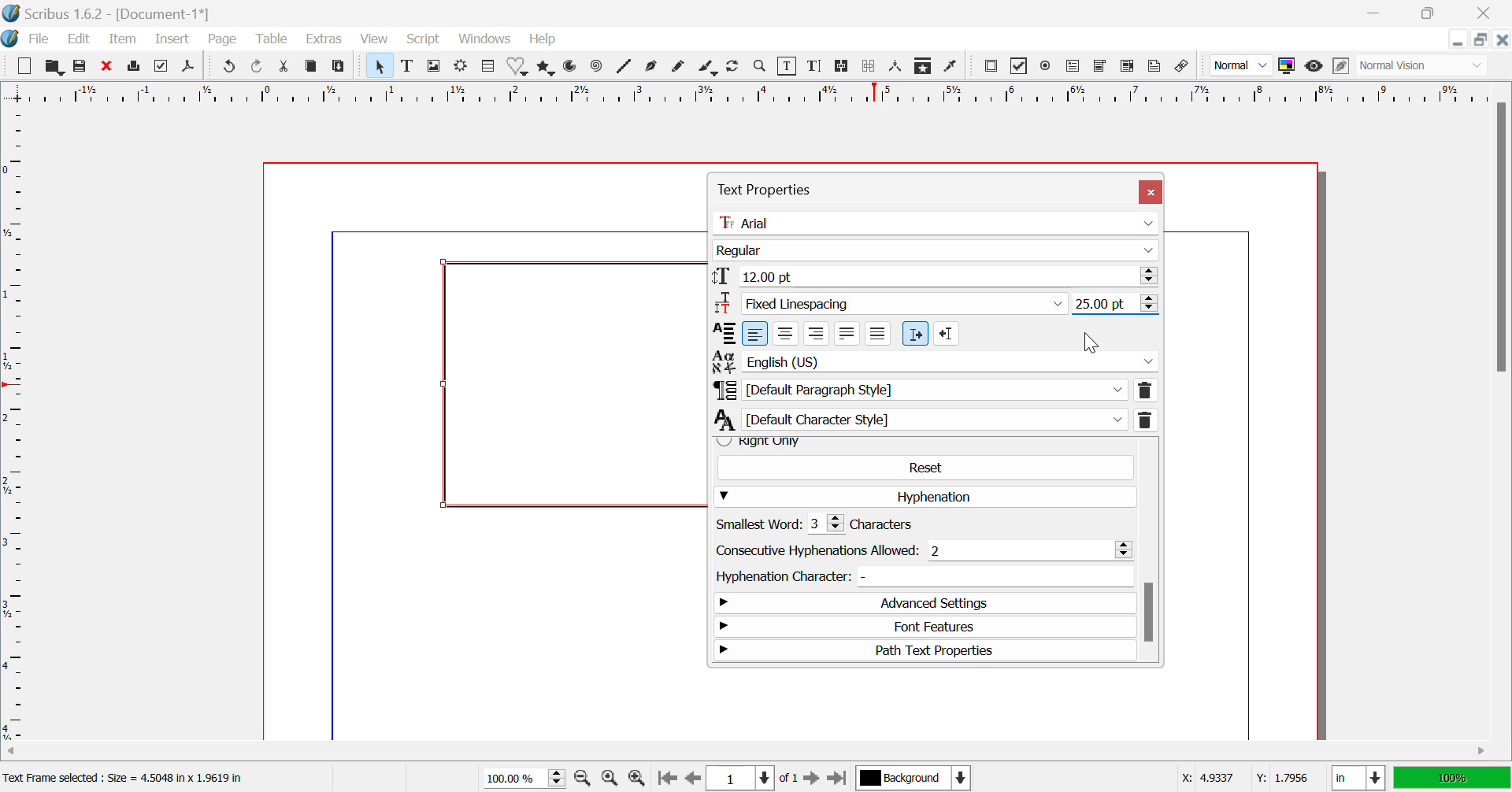 This screenshot has height=792, width=1512. Describe the element at coordinates (123, 41) in the screenshot. I see `Item` at that location.